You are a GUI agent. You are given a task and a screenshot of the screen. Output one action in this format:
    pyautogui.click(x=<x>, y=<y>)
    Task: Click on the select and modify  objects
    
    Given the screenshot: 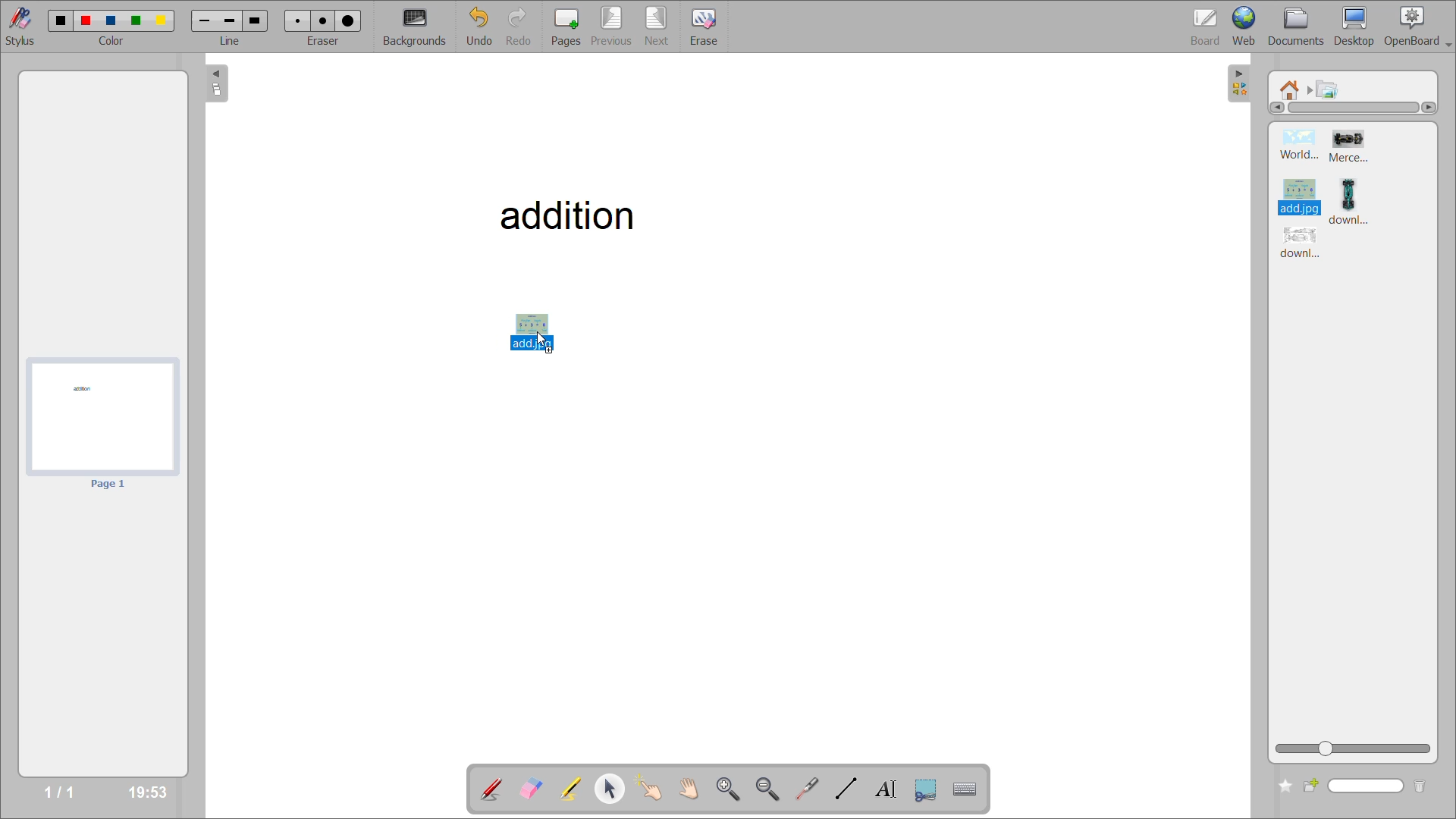 What is the action you would take?
    pyautogui.click(x=613, y=790)
    